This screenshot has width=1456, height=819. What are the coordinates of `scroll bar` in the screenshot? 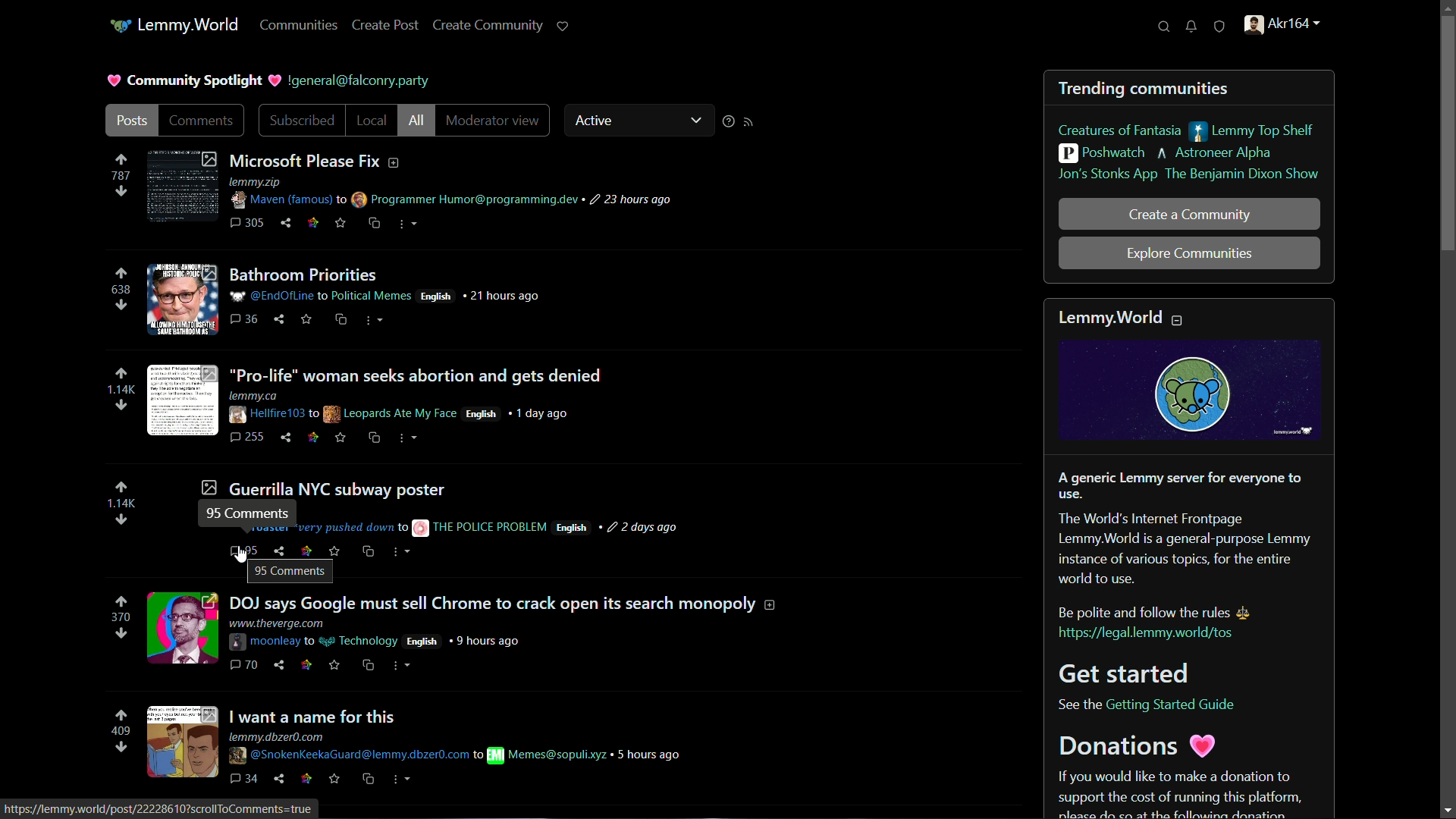 It's located at (1448, 135).